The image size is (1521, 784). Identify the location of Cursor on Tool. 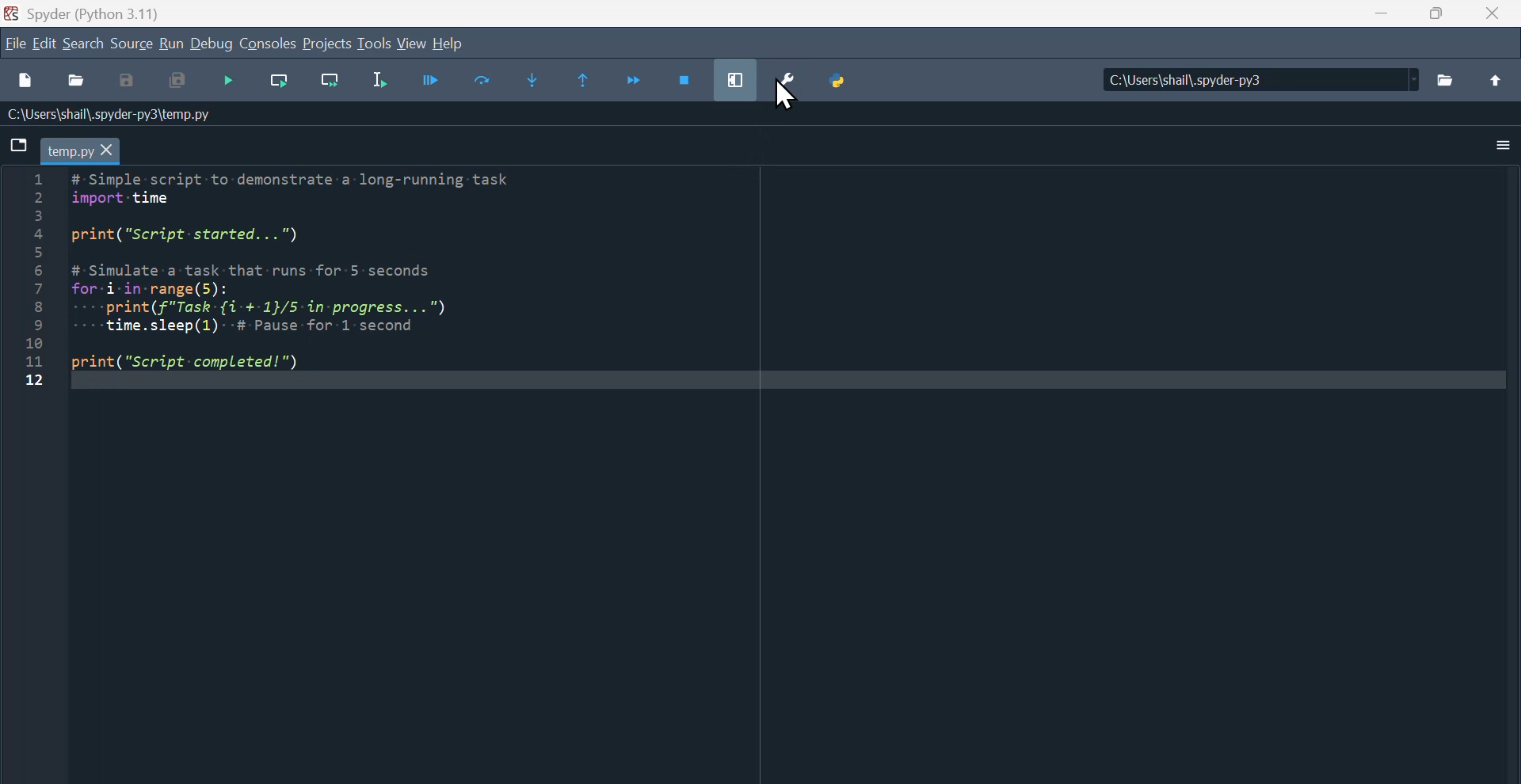
(786, 103).